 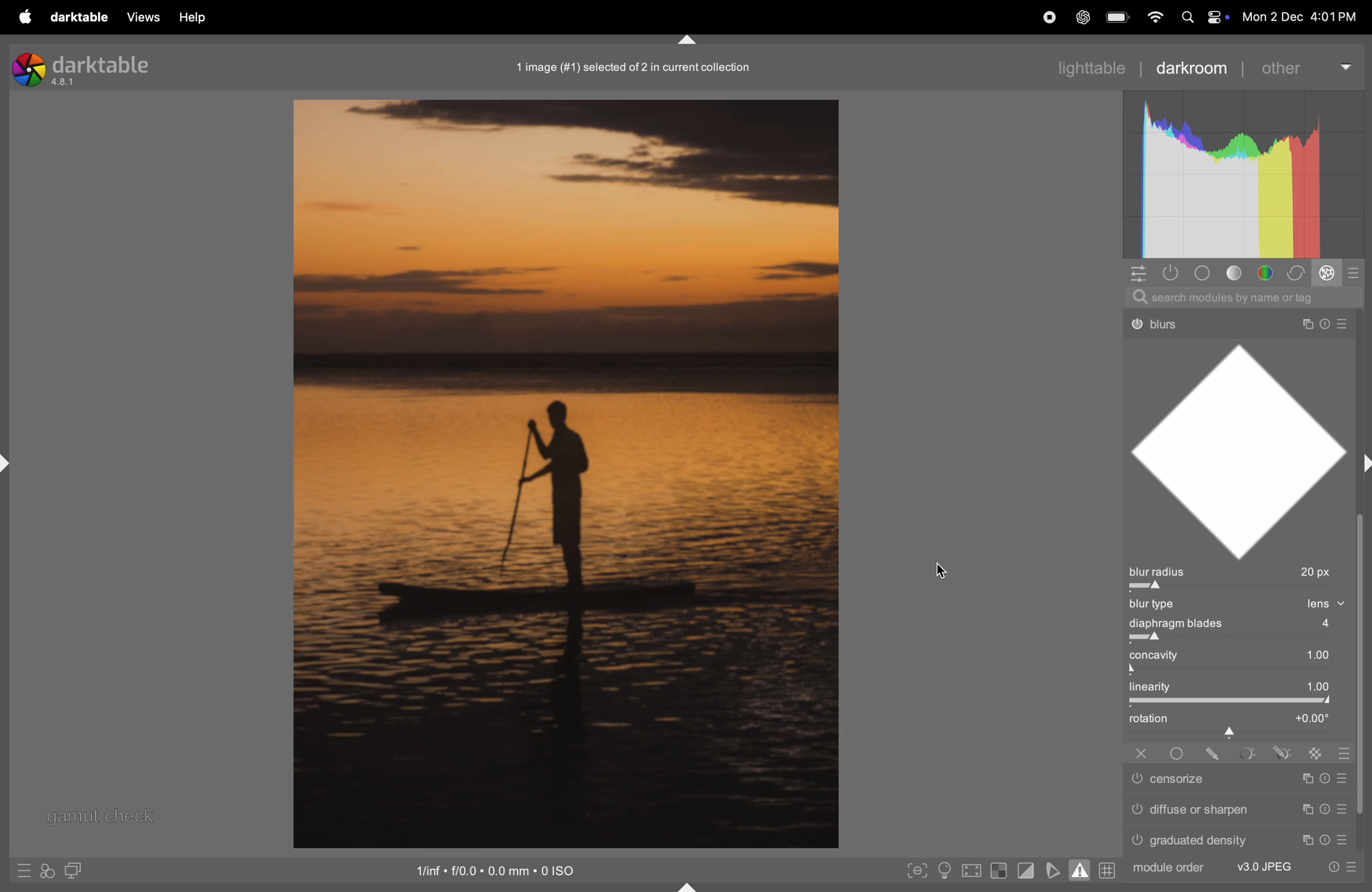 What do you see at coordinates (1118, 16) in the screenshot?
I see `battery` at bounding box center [1118, 16].